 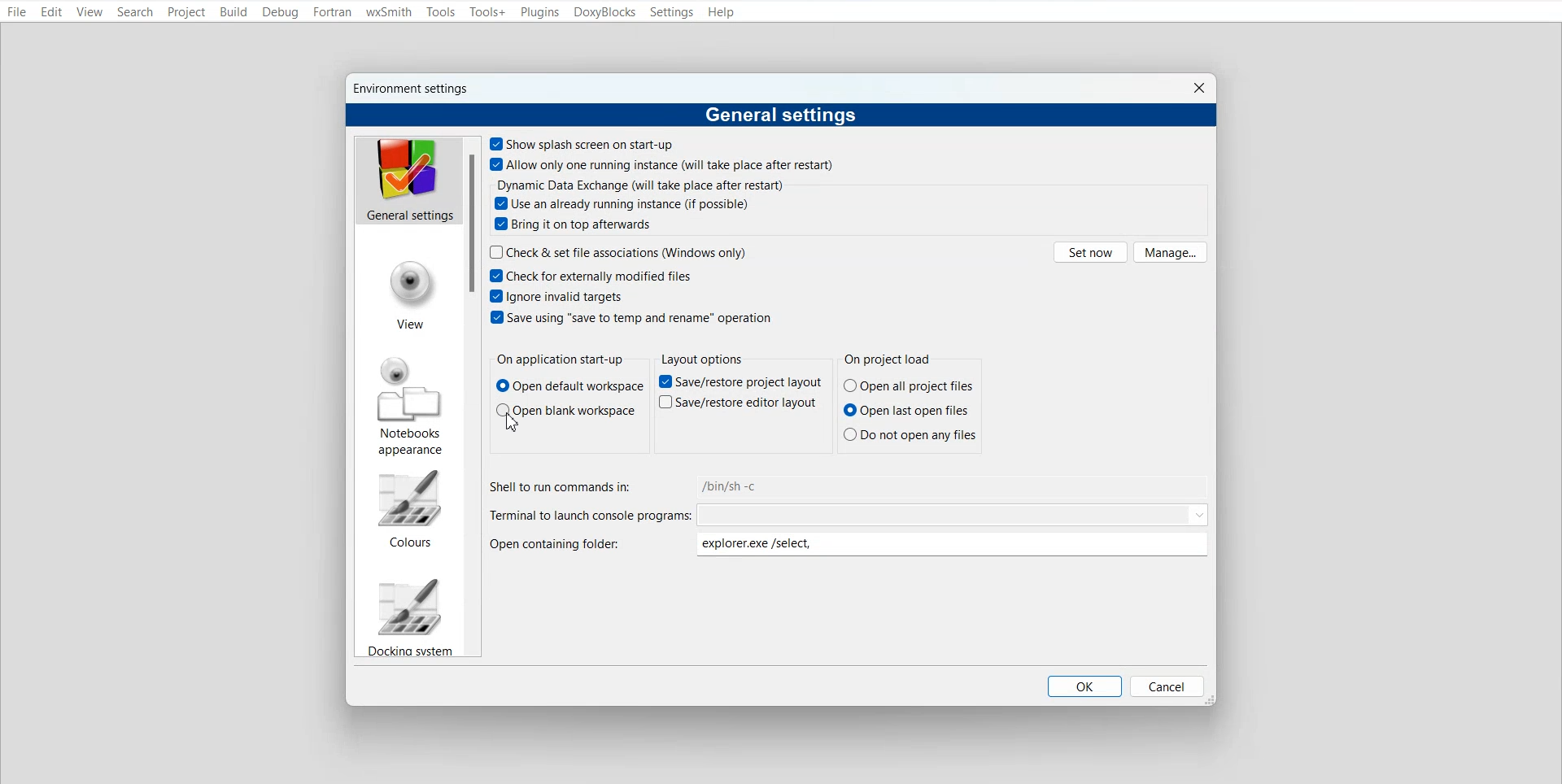 What do you see at coordinates (782, 115) in the screenshot?
I see `Text` at bounding box center [782, 115].